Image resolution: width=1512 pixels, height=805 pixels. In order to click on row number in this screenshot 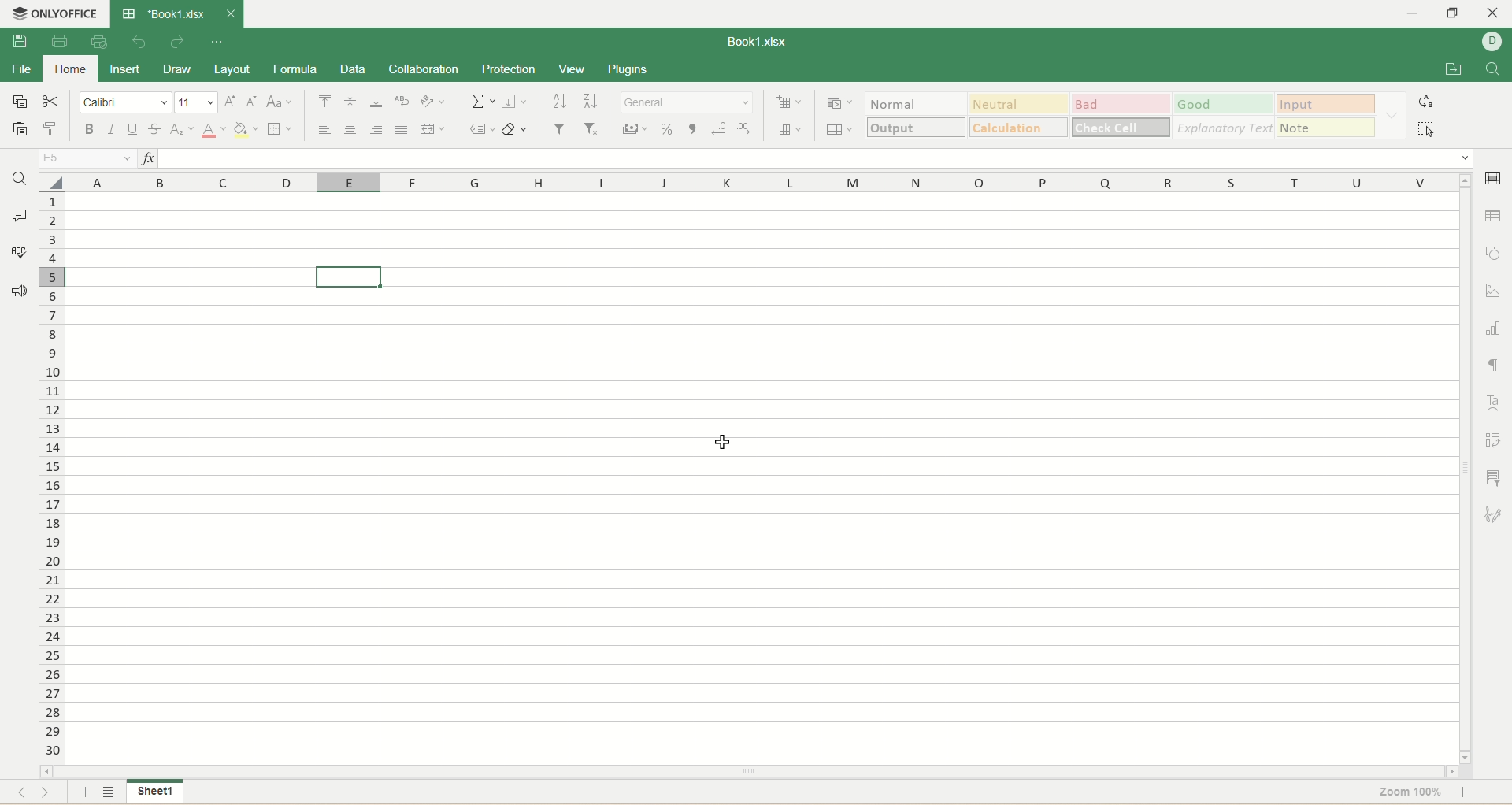, I will do `click(55, 473)`.